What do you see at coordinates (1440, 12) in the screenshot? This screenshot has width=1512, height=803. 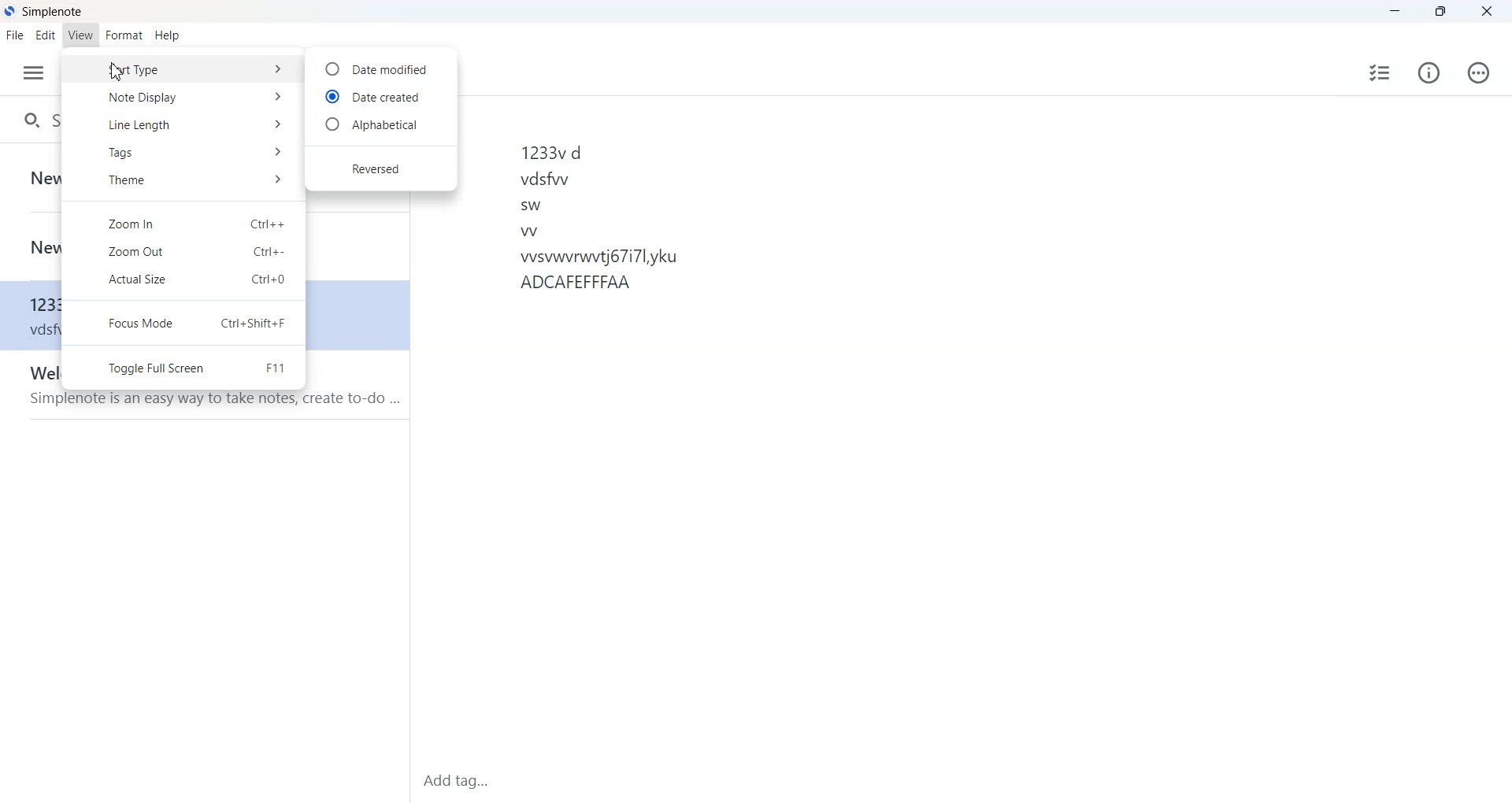 I see `Maximize` at bounding box center [1440, 12].